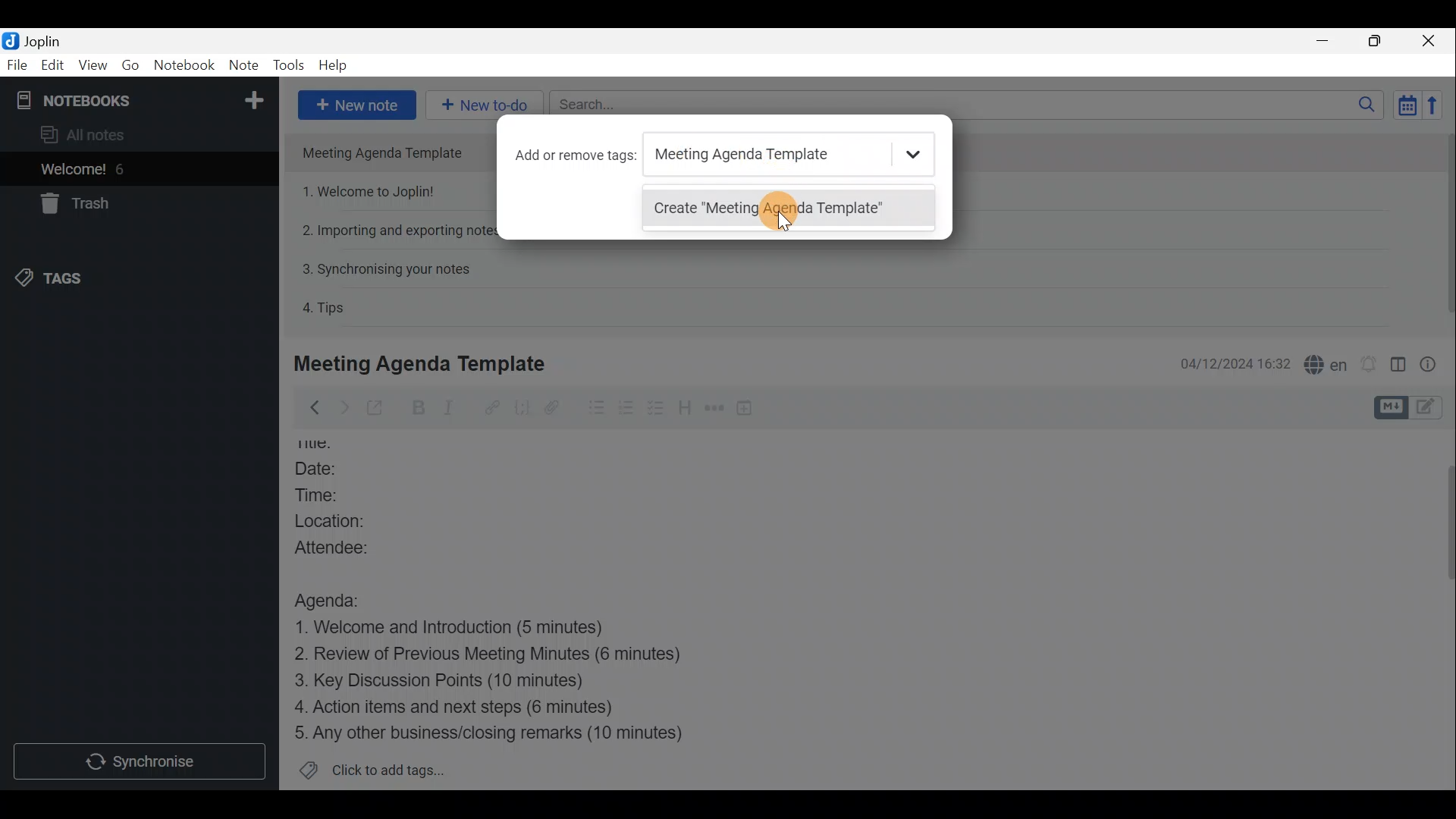  What do you see at coordinates (142, 99) in the screenshot?
I see `Notebooks` at bounding box center [142, 99].